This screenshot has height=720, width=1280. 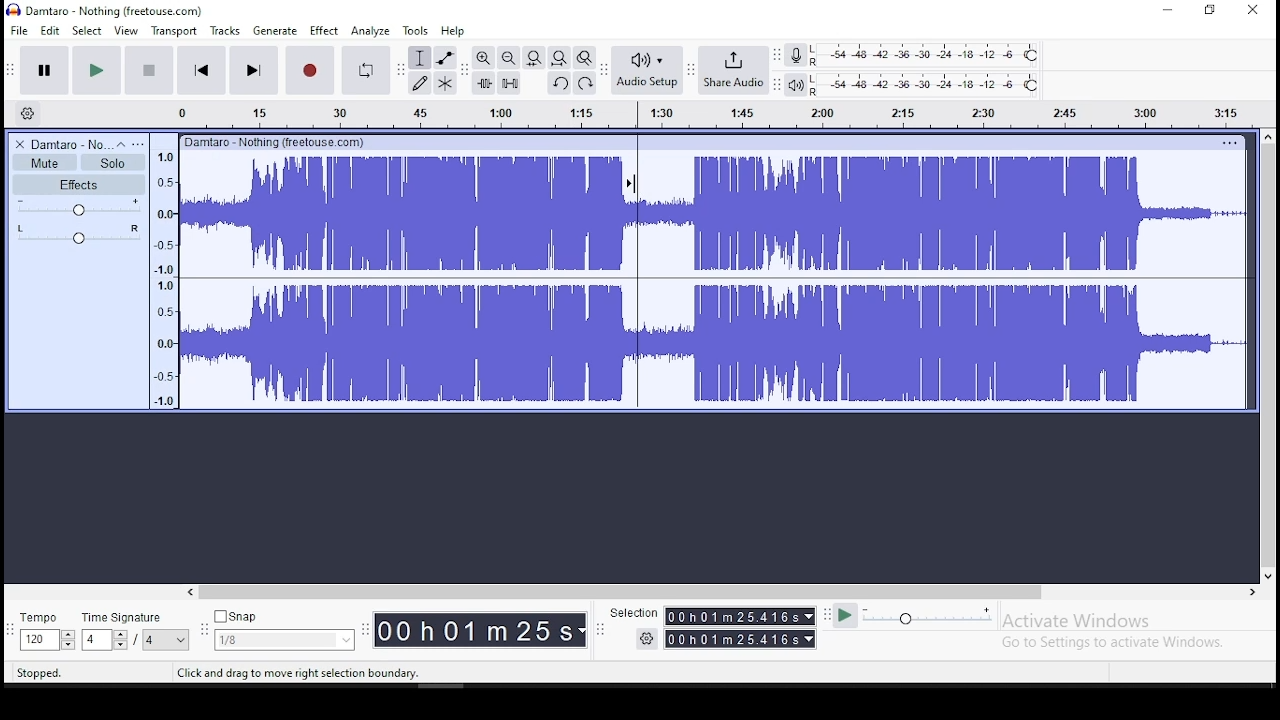 I want to click on close window, so click(x=1254, y=11).